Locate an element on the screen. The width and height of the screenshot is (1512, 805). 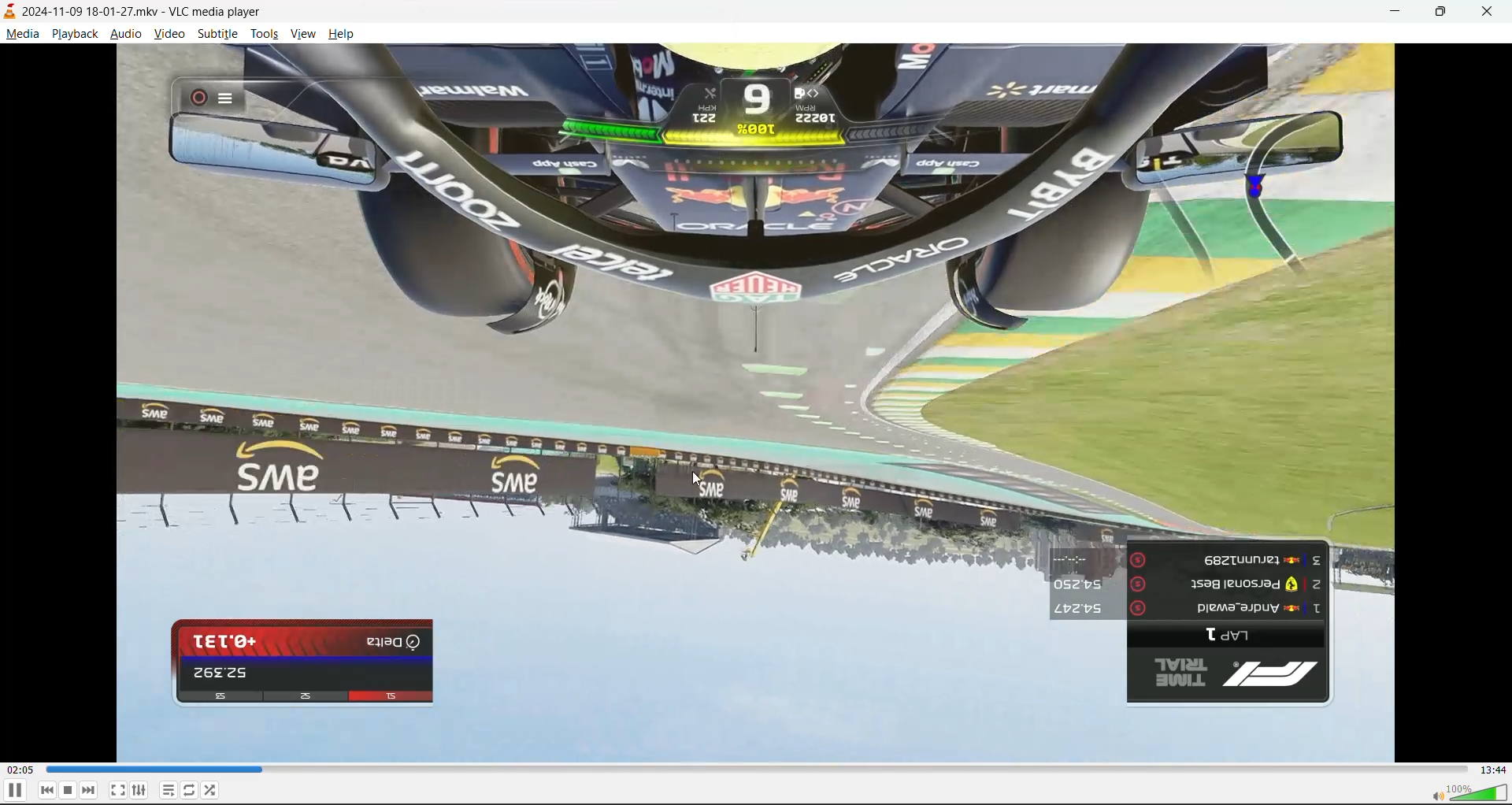
total track time is located at coordinates (1494, 770).